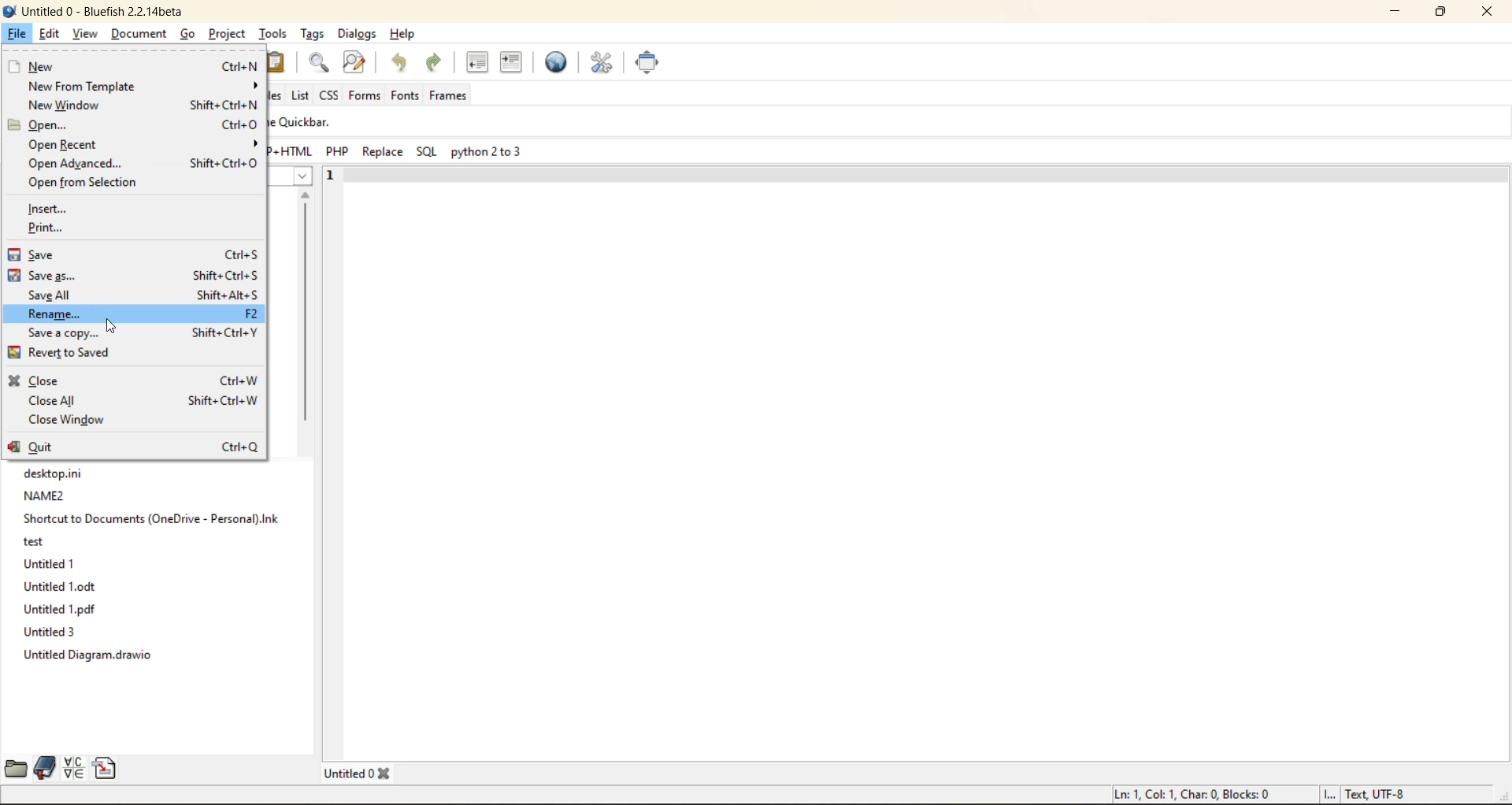 This screenshot has width=1512, height=805. Describe the element at coordinates (52, 34) in the screenshot. I see `edit` at that location.